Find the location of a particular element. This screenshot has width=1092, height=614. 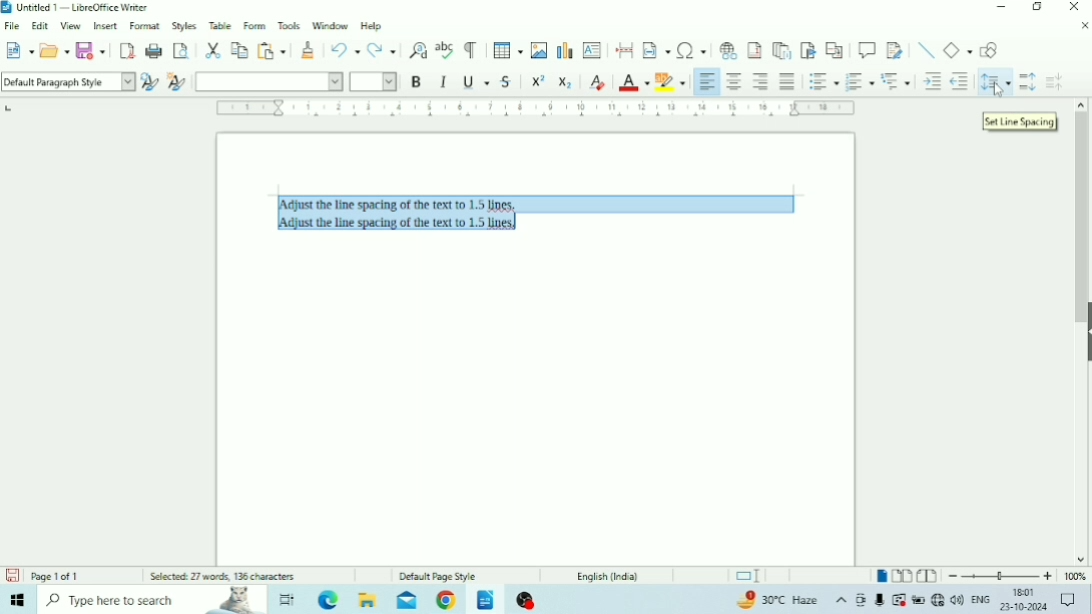

Insert Chart is located at coordinates (565, 49).